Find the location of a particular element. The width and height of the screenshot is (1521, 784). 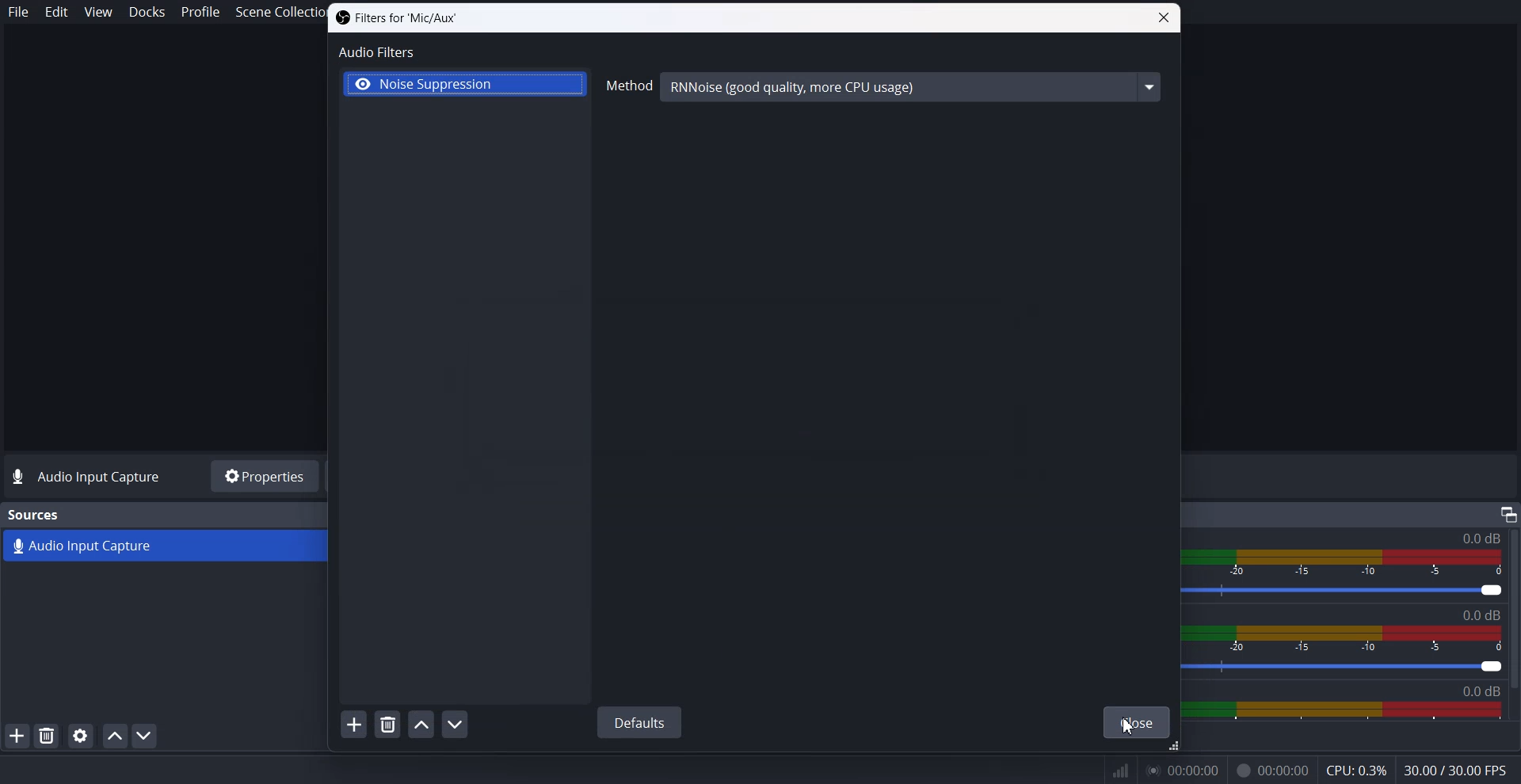

Audio Filters is located at coordinates (378, 51).